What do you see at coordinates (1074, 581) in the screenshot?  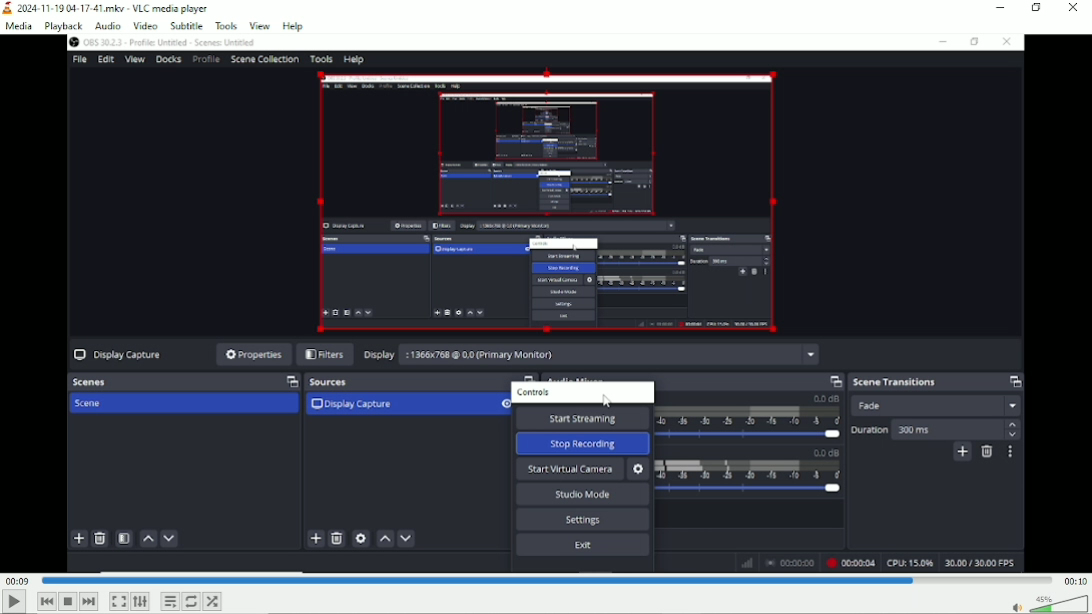 I see `00:10` at bounding box center [1074, 581].